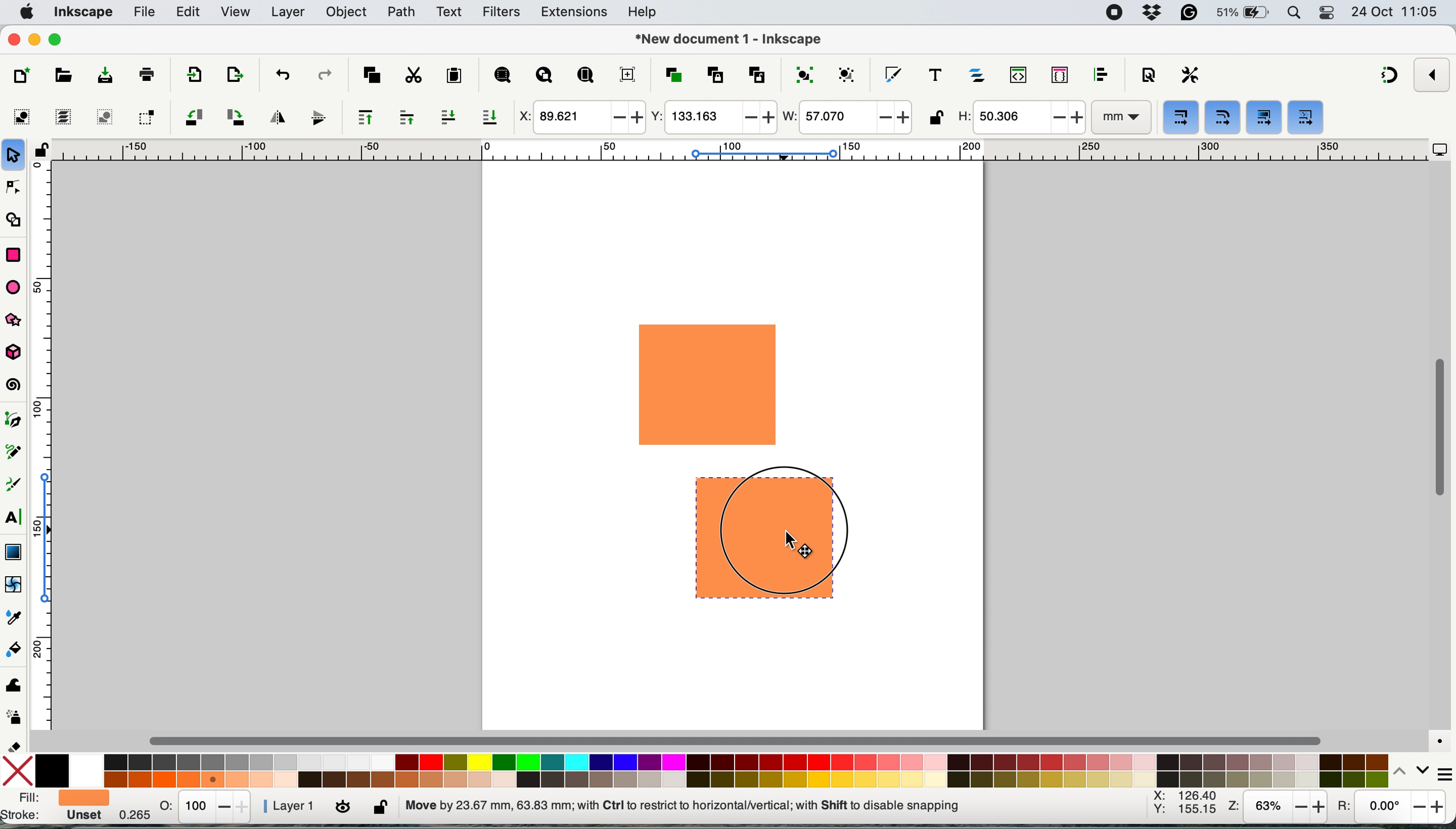  Describe the element at coordinates (412, 75) in the screenshot. I see `cut` at that location.